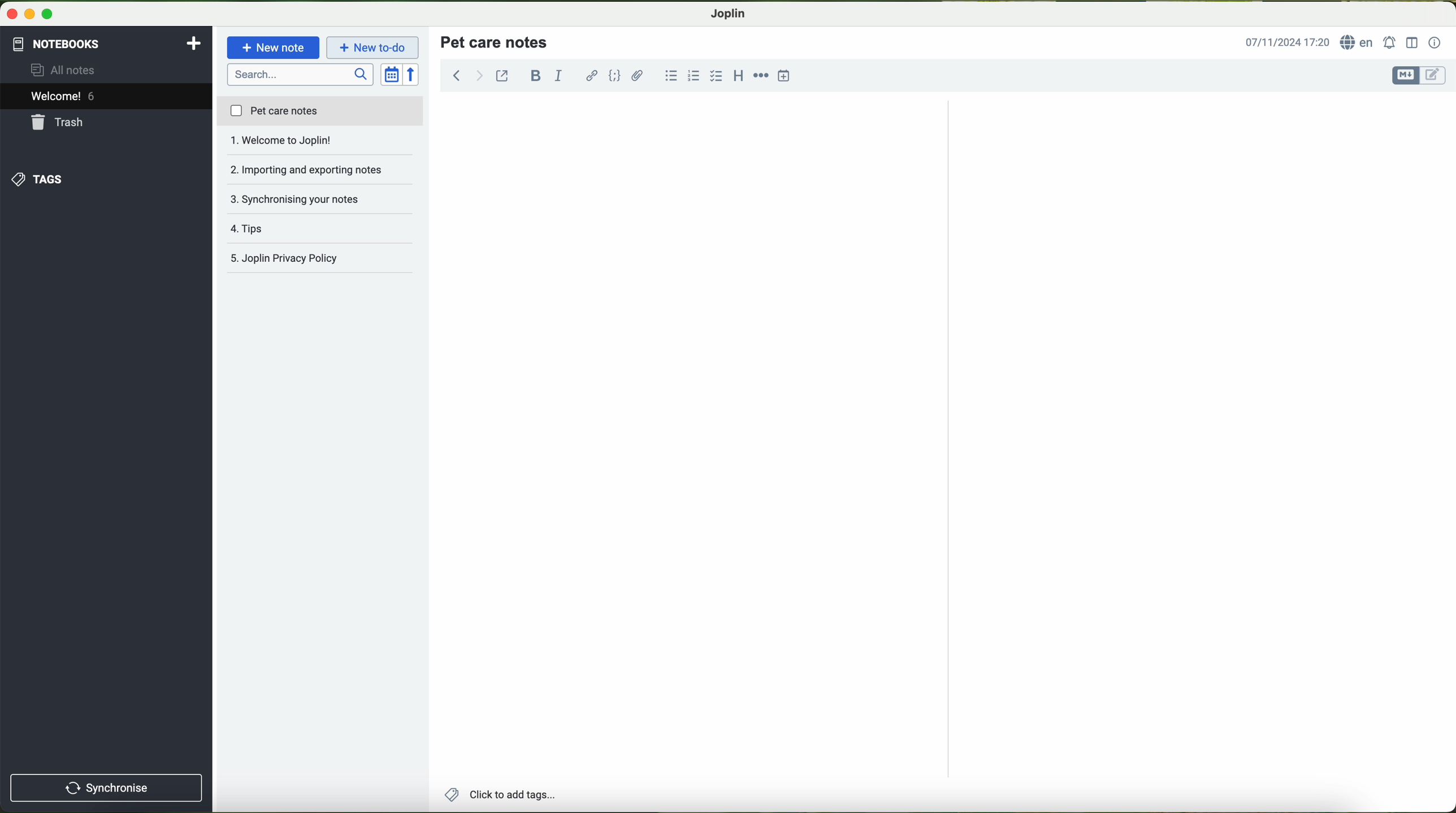 The height and width of the screenshot is (813, 1456). What do you see at coordinates (36, 179) in the screenshot?
I see `tags` at bounding box center [36, 179].